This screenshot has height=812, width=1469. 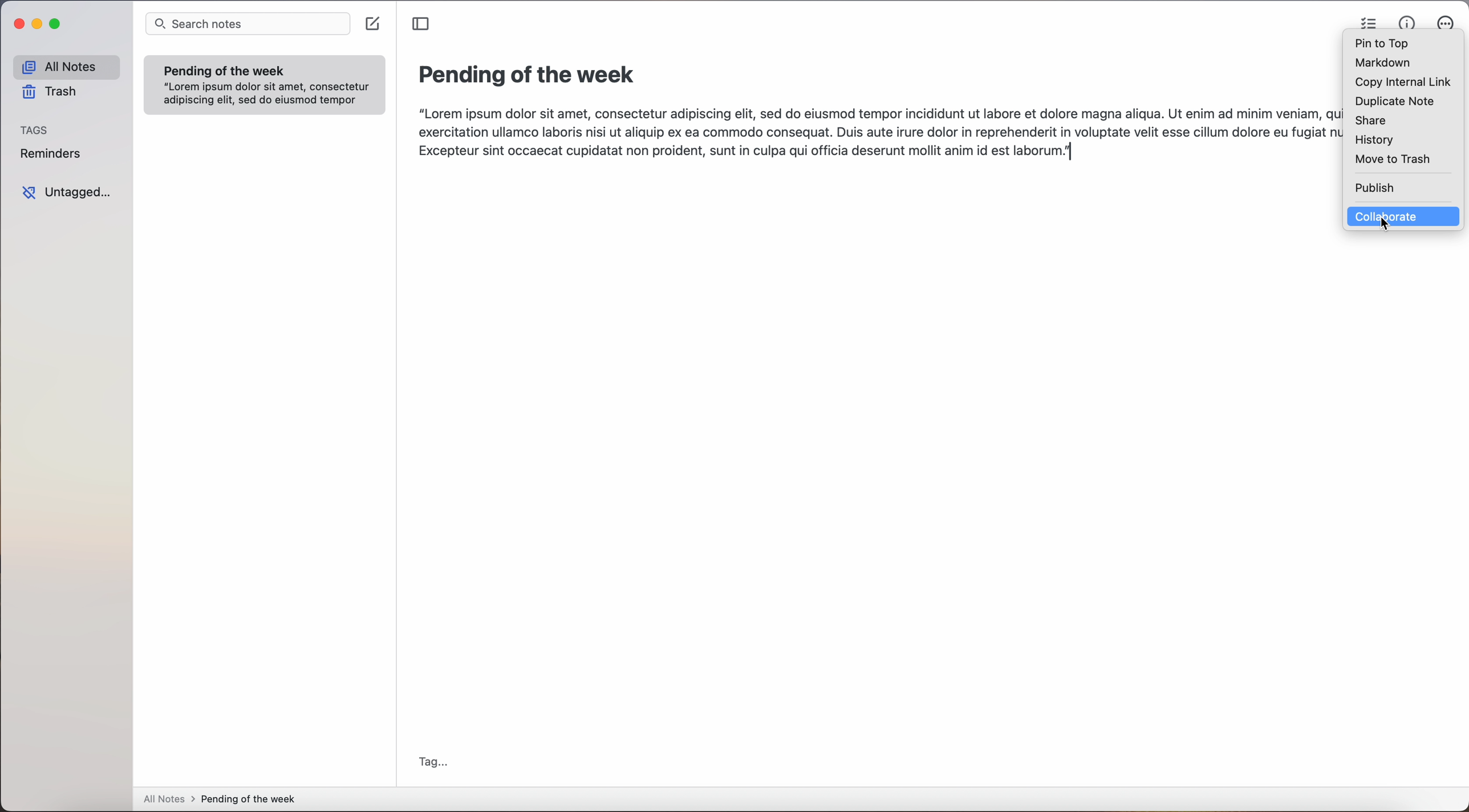 I want to click on markdown, so click(x=1382, y=63).